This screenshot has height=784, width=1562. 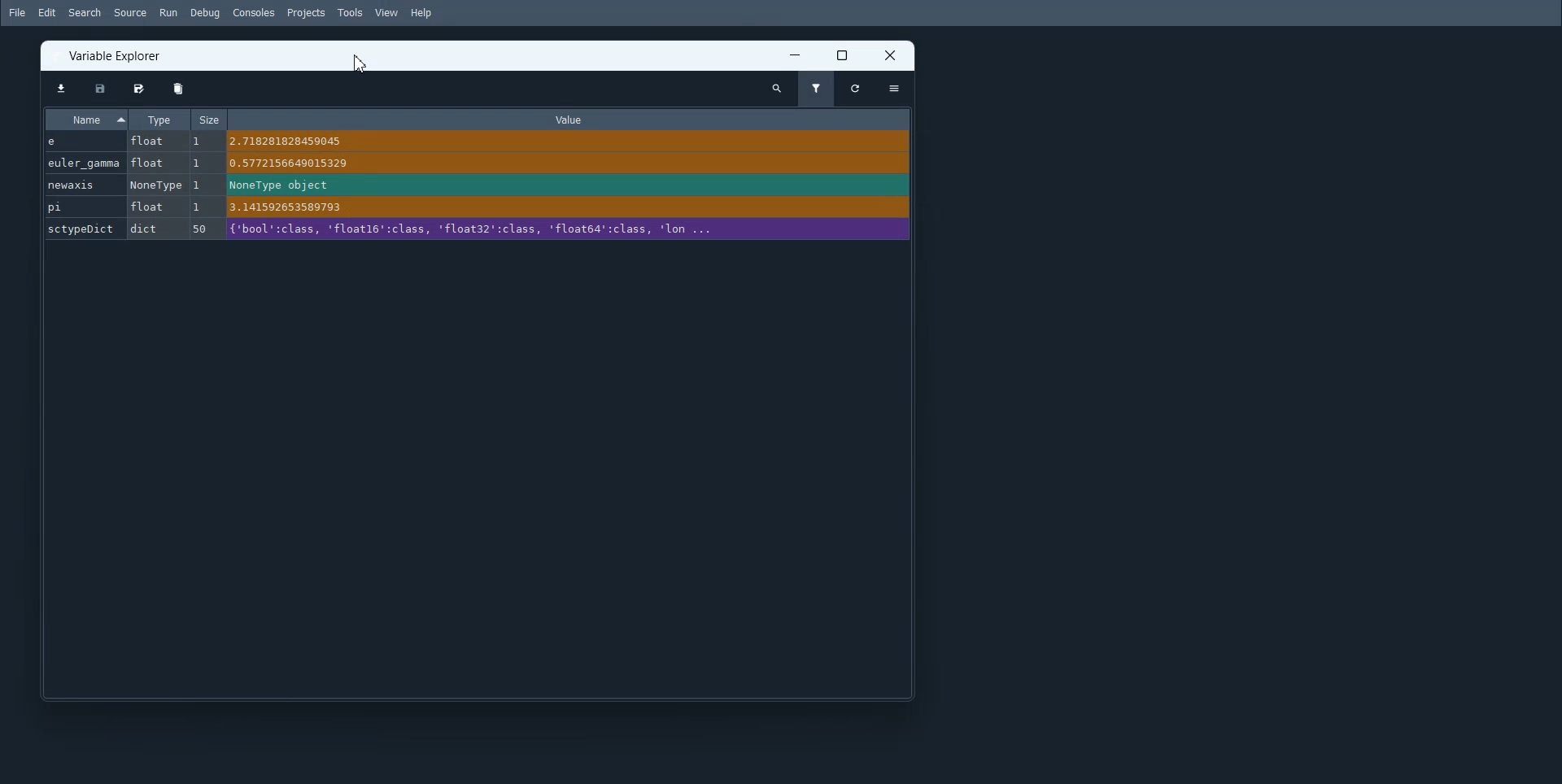 What do you see at coordinates (295, 207) in the screenshot?
I see `3.141592653589793` at bounding box center [295, 207].